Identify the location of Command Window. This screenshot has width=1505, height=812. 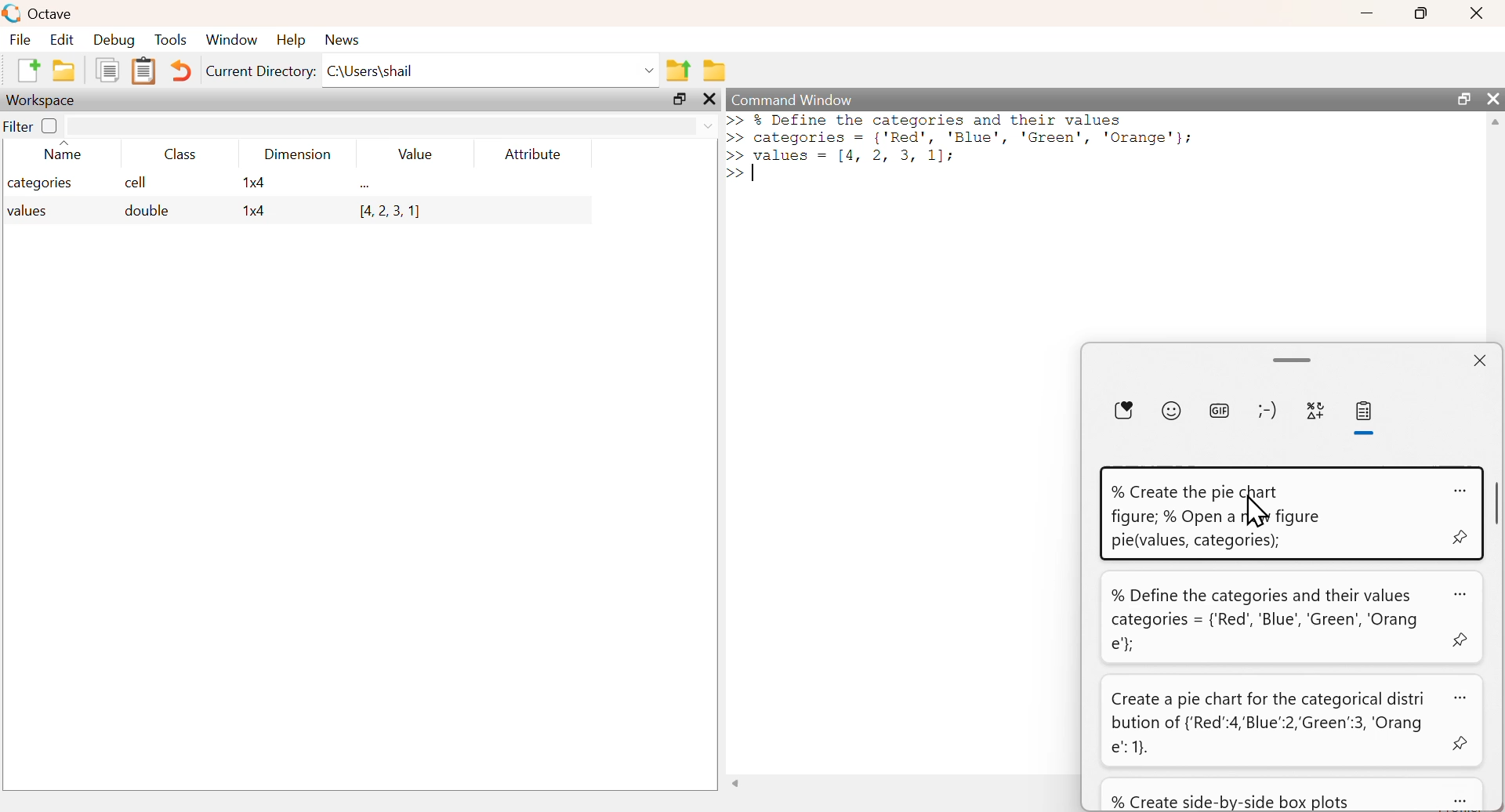
(794, 100).